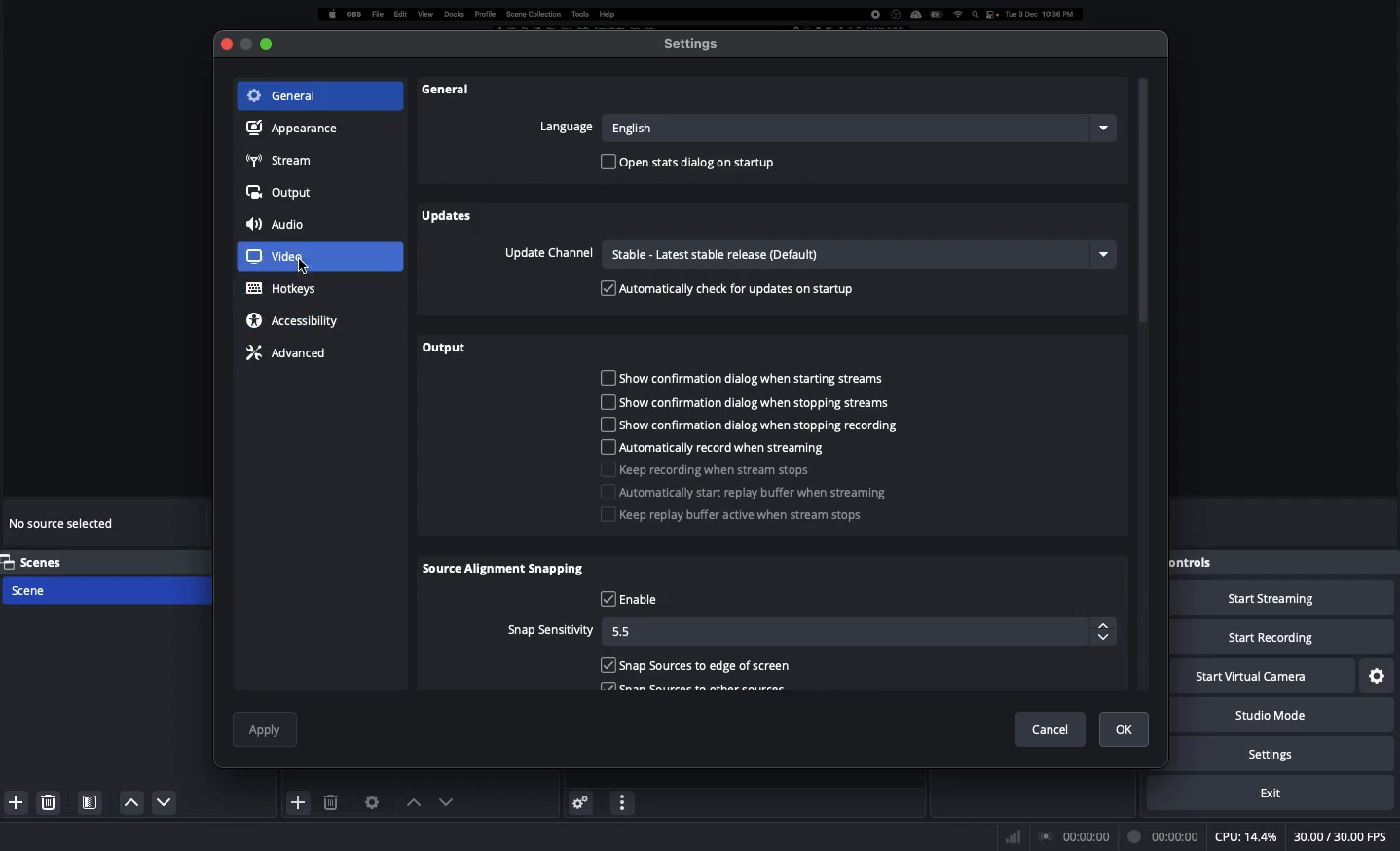 This screenshot has height=851, width=1400. Describe the element at coordinates (279, 226) in the screenshot. I see `Audio` at that location.